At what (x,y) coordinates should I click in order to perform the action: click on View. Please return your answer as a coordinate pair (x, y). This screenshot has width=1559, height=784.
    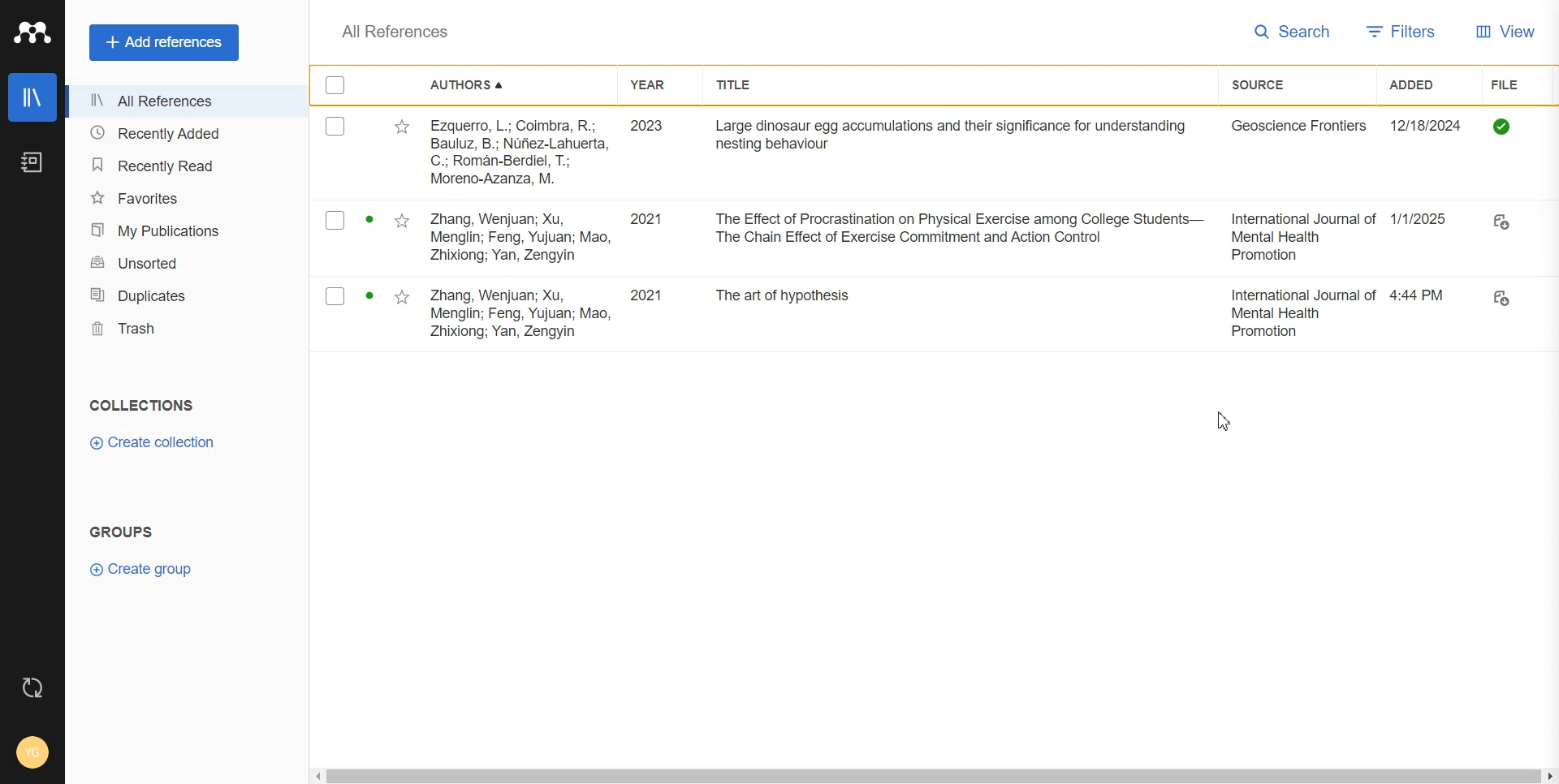
    Looking at the image, I should click on (1505, 32).